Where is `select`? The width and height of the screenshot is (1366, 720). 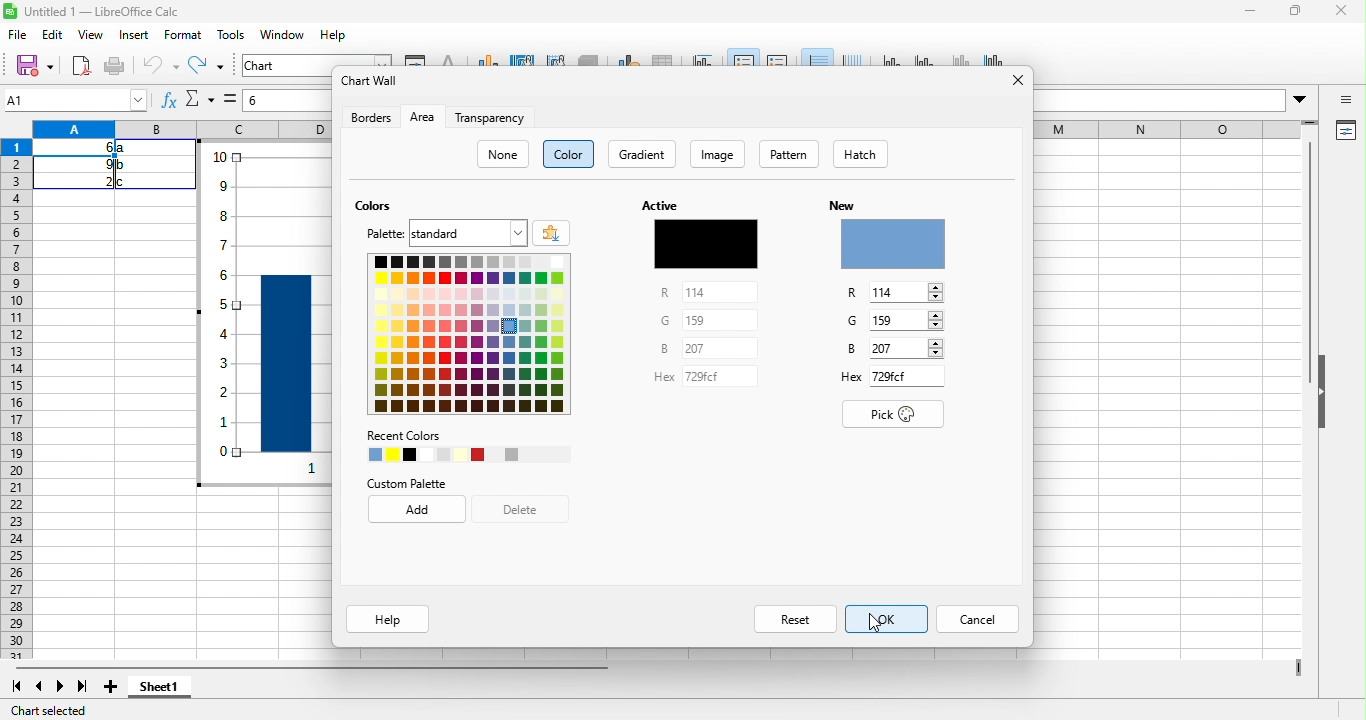 select is located at coordinates (228, 98).